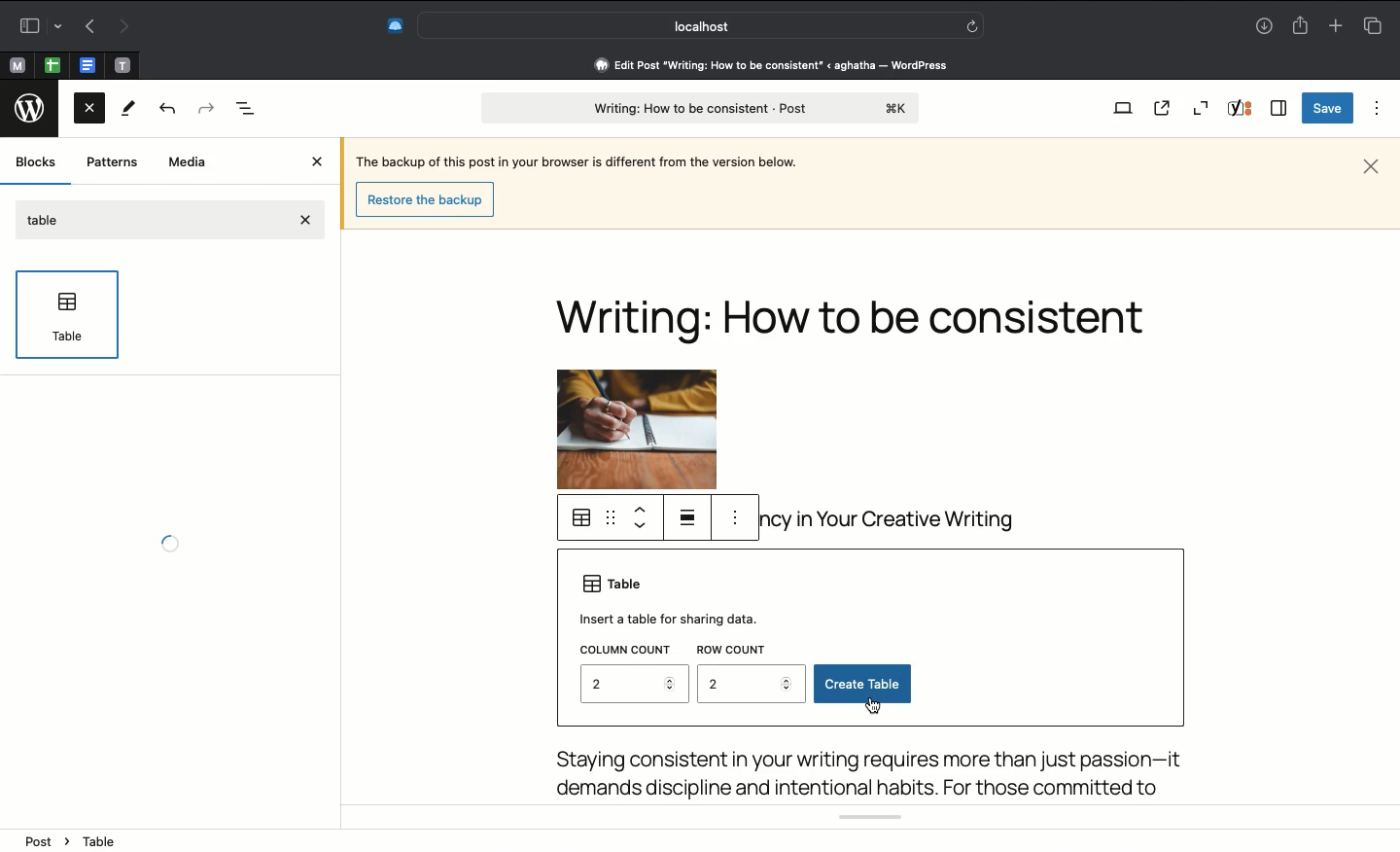 The width and height of the screenshot is (1400, 852). I want to click on Body, so click(874, 772).